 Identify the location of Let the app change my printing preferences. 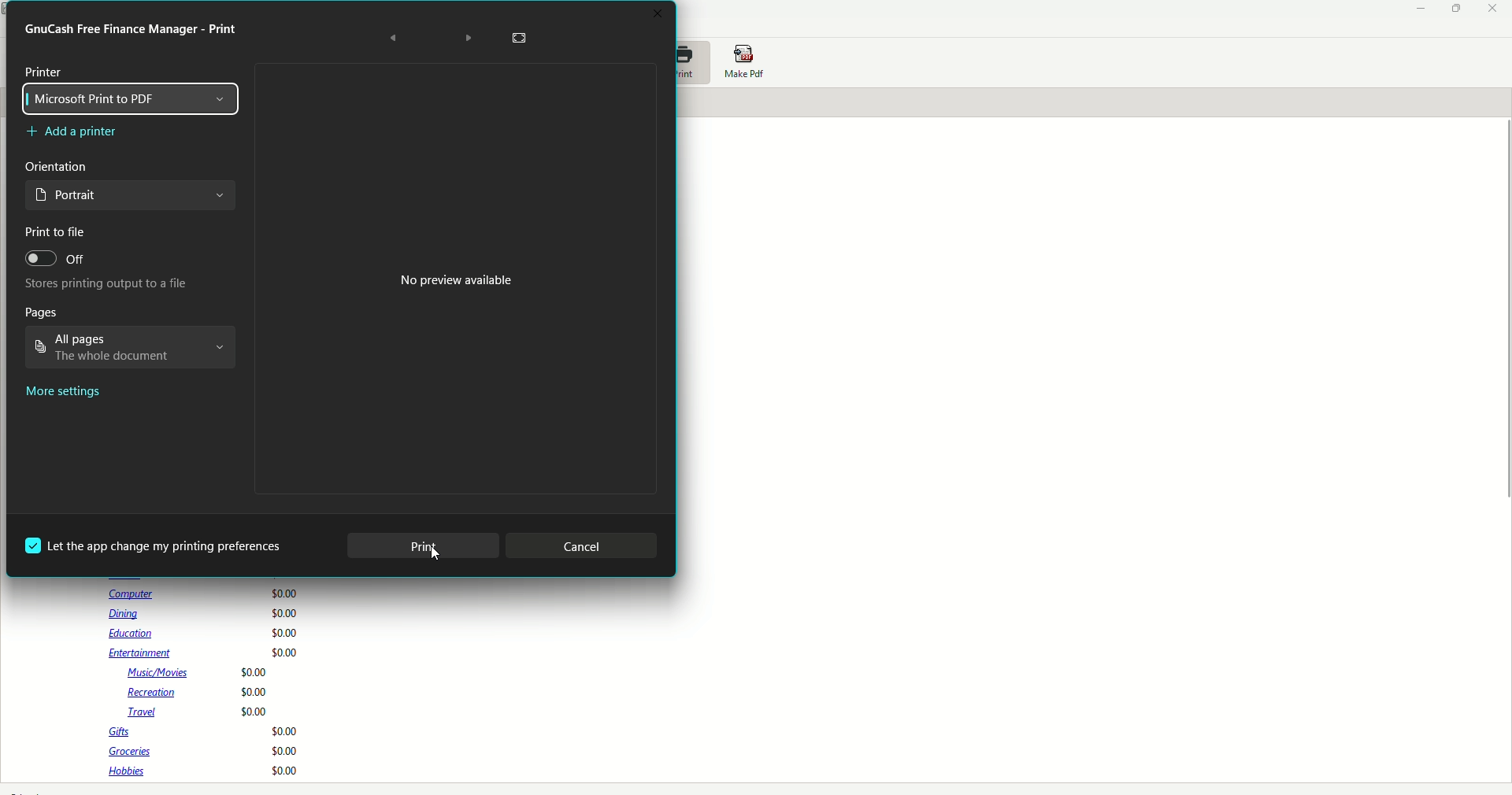
(157, 545).